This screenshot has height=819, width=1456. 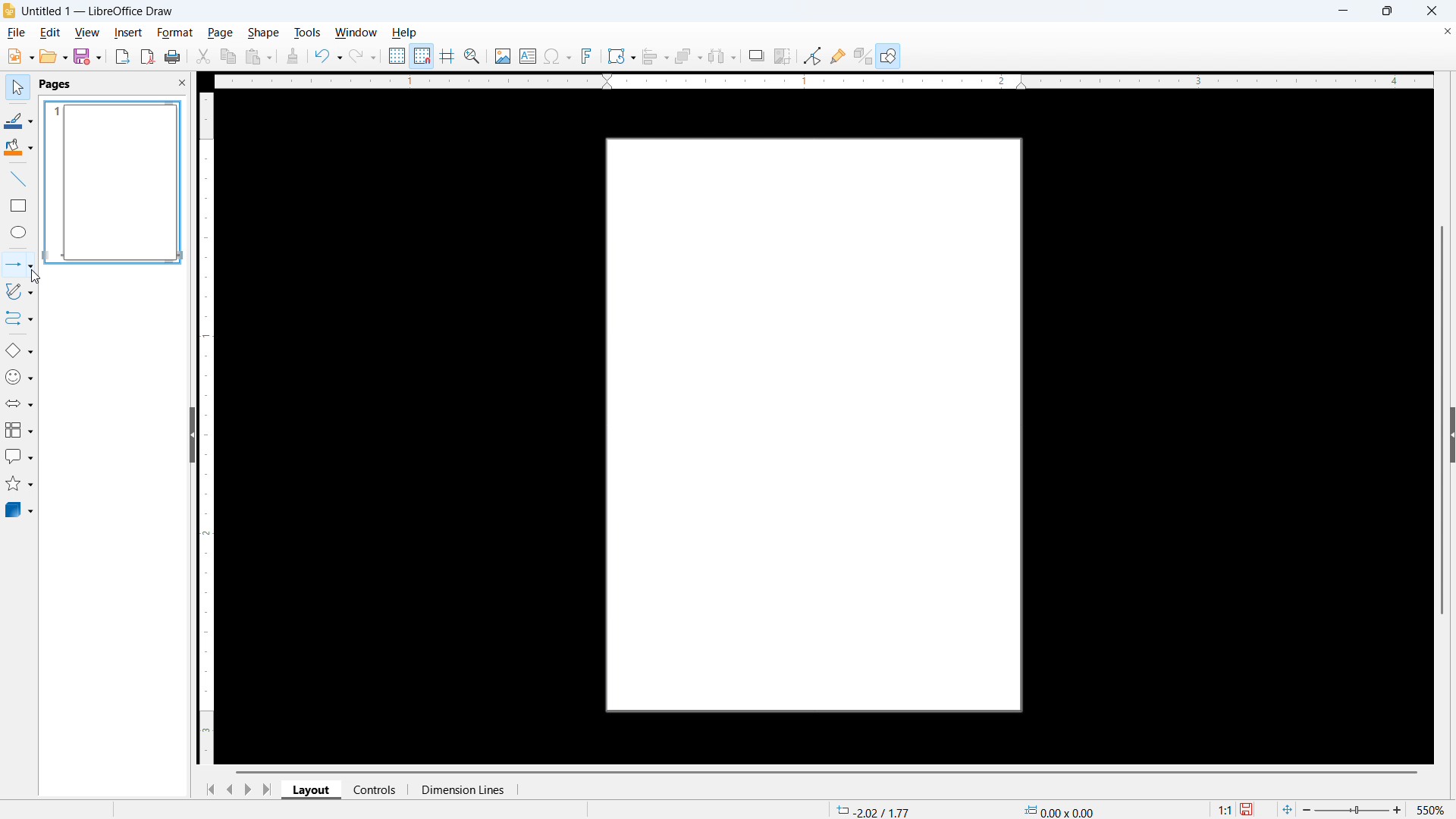 I want to click on print , so click(x=173, y=56).